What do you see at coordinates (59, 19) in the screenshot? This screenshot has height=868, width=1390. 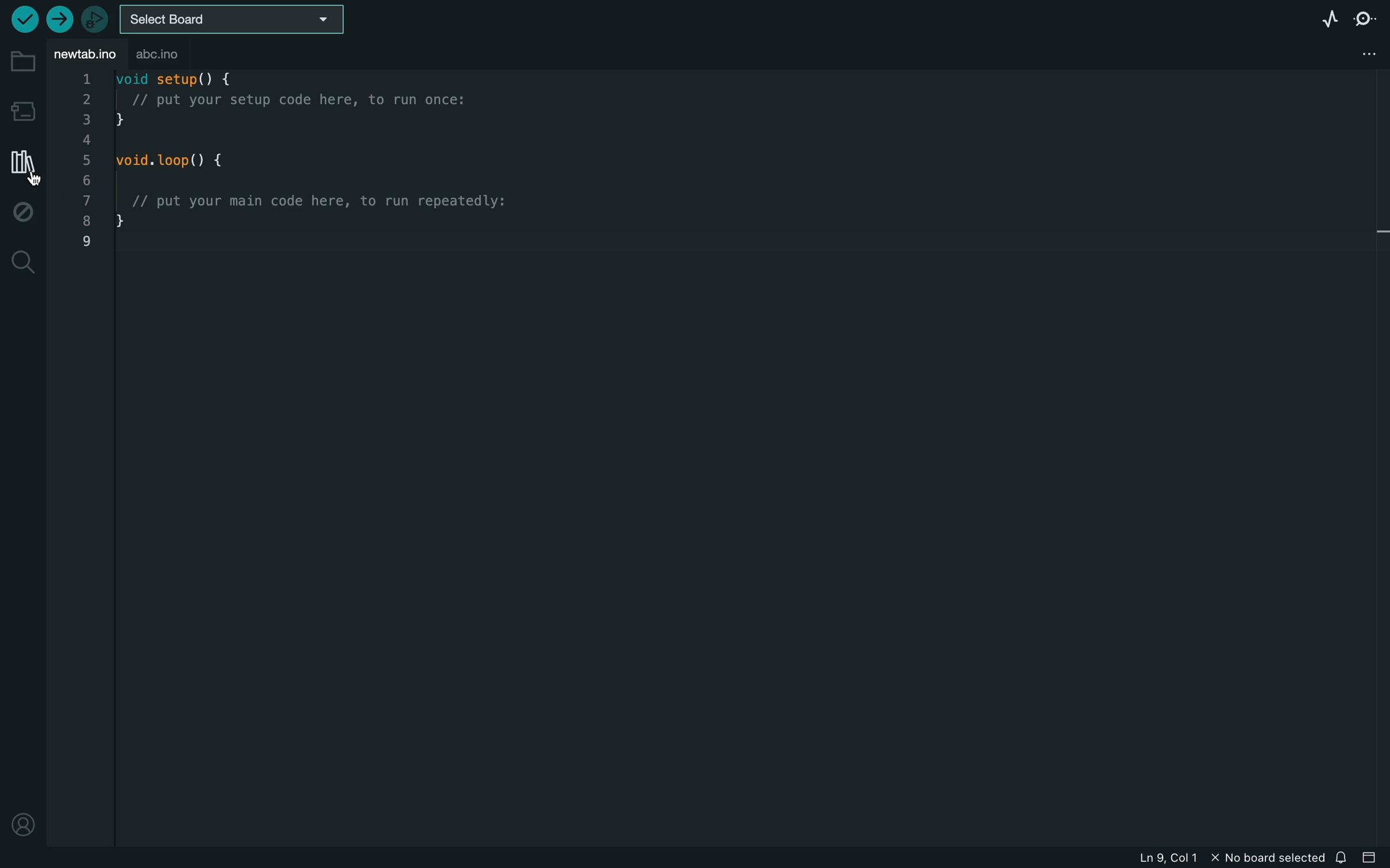 I see `upload` at bounding box center [59, 19].